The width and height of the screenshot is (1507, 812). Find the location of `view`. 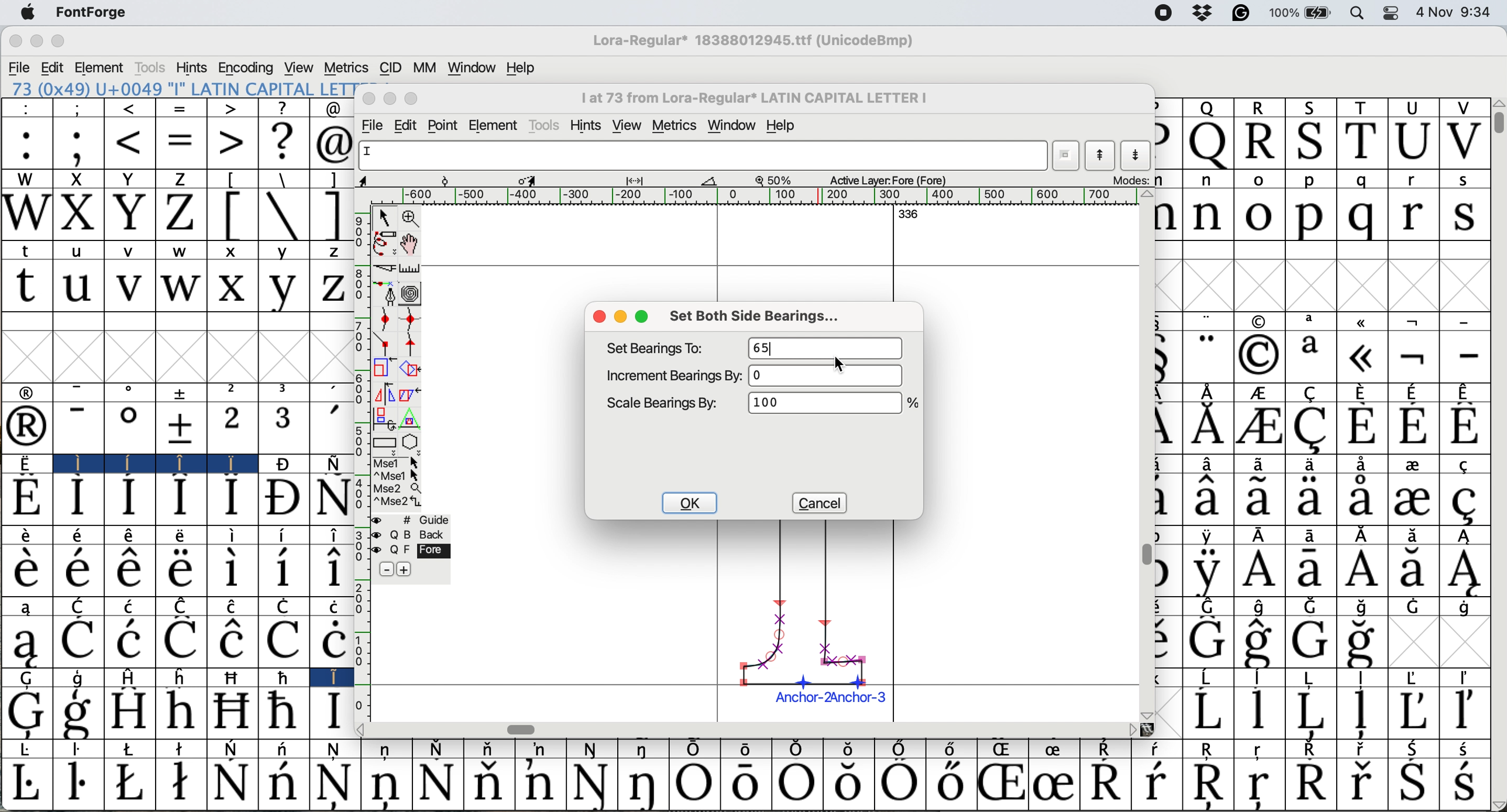

view is located at coordinates (300, 67).